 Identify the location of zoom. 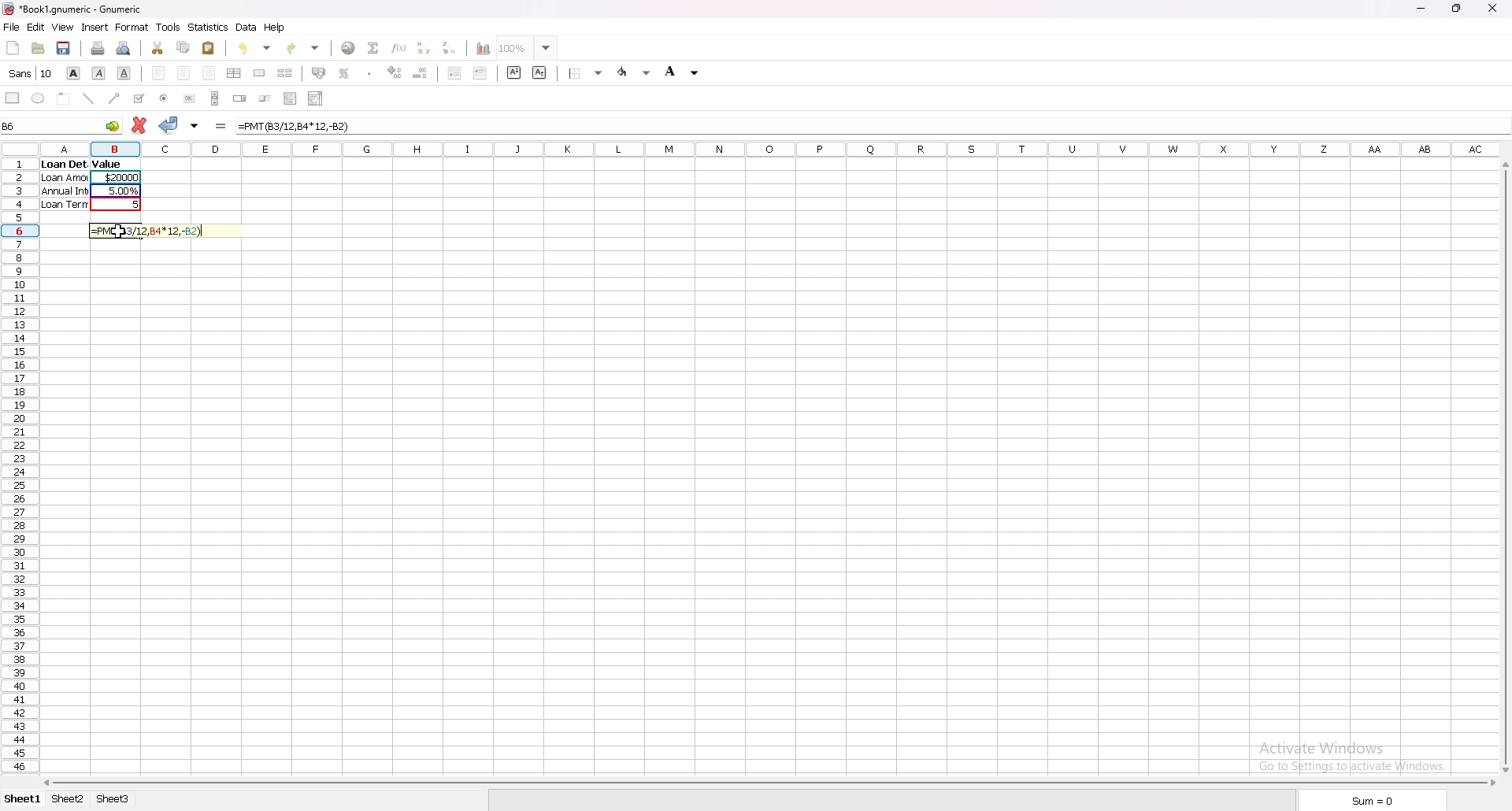
(529, 47).